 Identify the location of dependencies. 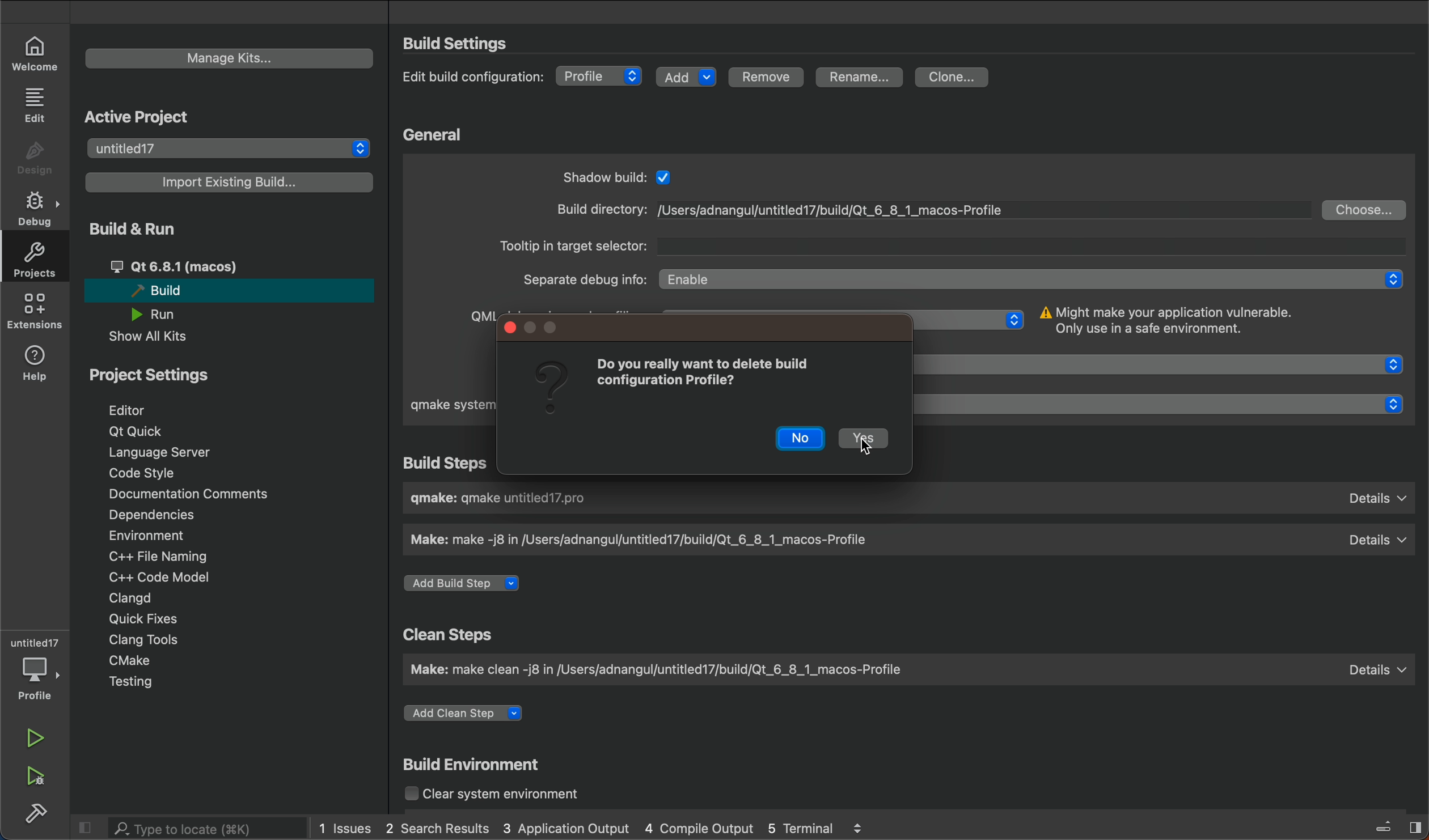
(164, 512).